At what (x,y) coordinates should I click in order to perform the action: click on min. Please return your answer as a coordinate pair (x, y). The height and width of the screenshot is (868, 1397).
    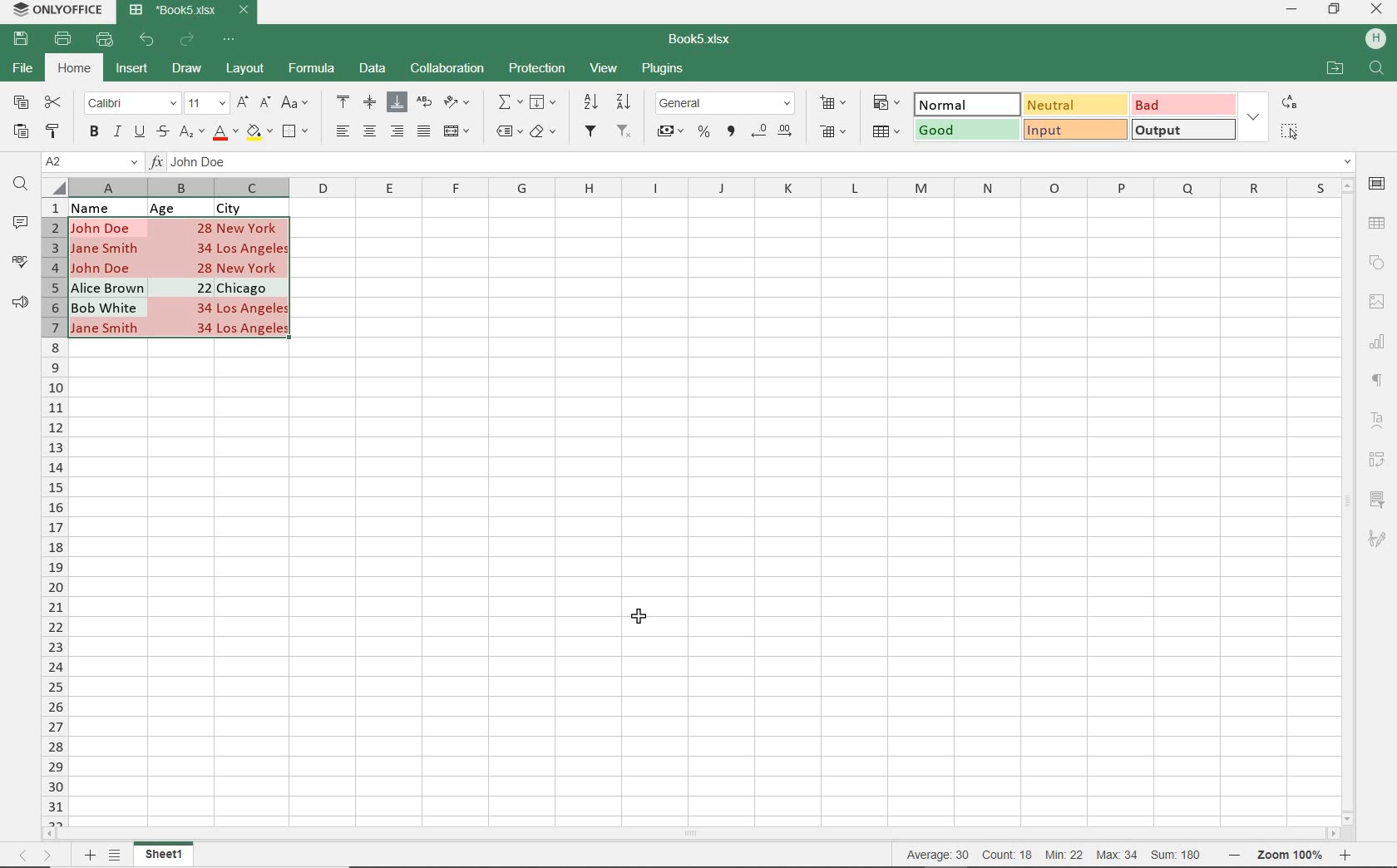
    Looking at the image, I should click on (1064, 855).